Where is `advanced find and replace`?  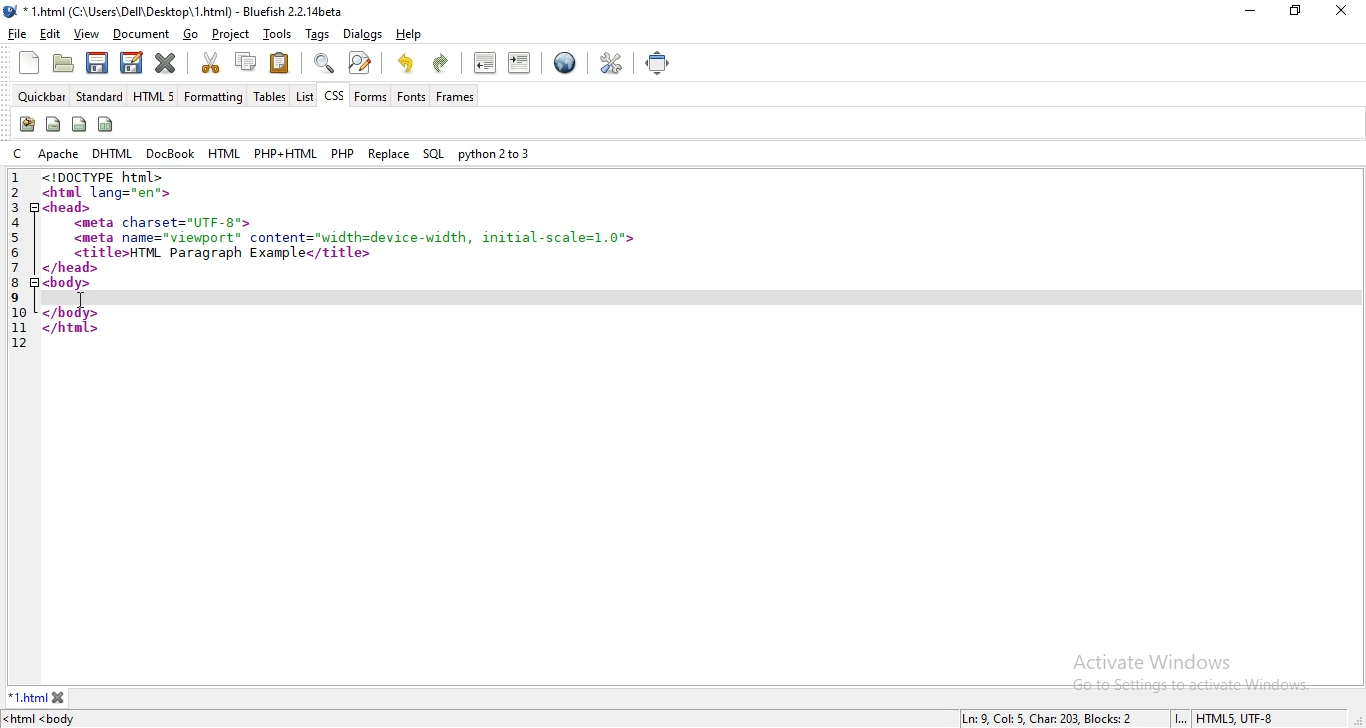
advanced find and replace is located at coordinates (362, 63).